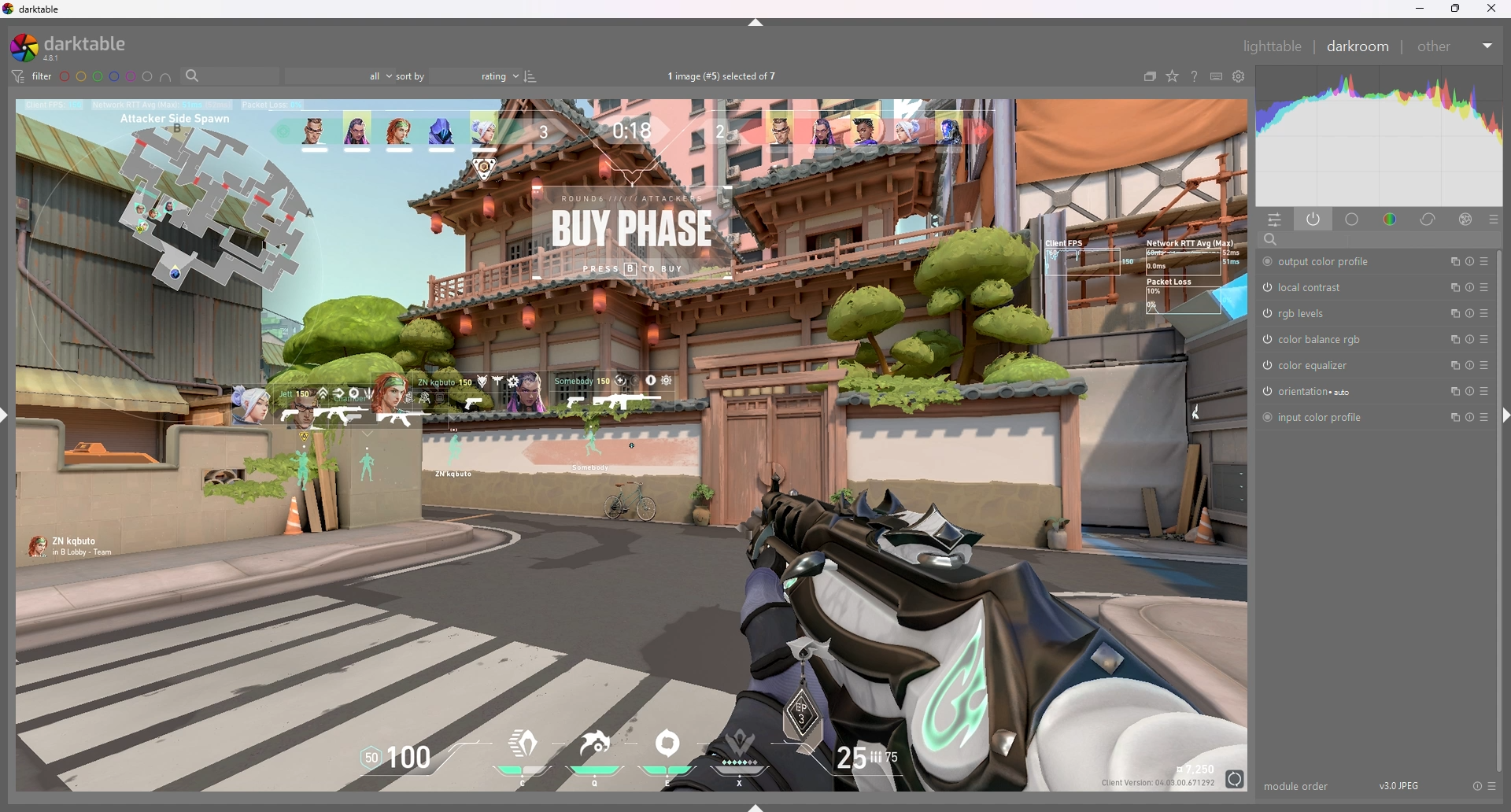 This screenshot has width=1511, height=812. Describe the element at coordinates (1450, 418) in the screenshot. I see `multiple instances action` at that location.